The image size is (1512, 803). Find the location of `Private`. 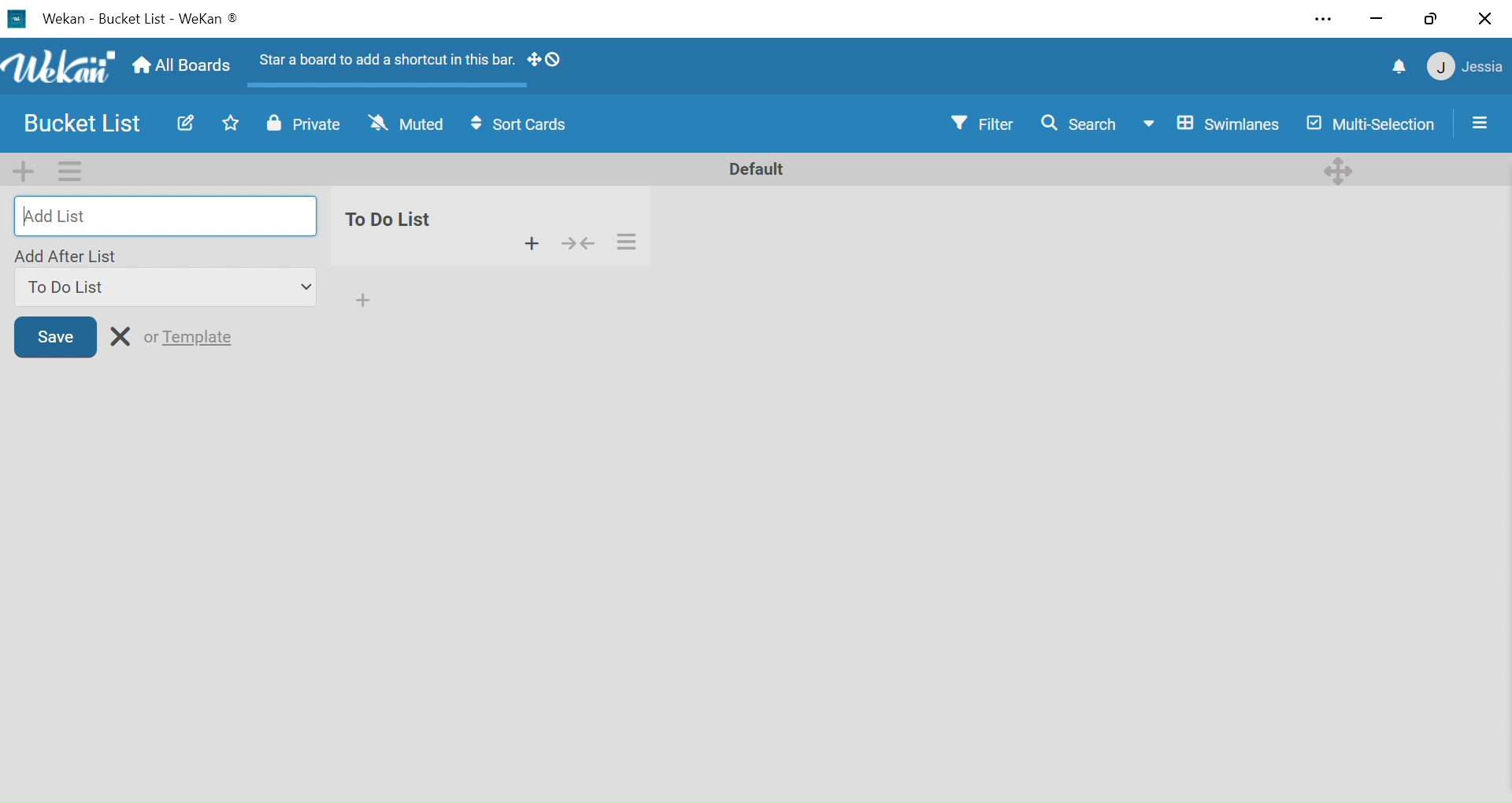

Private is located at coordinates (304, 127).